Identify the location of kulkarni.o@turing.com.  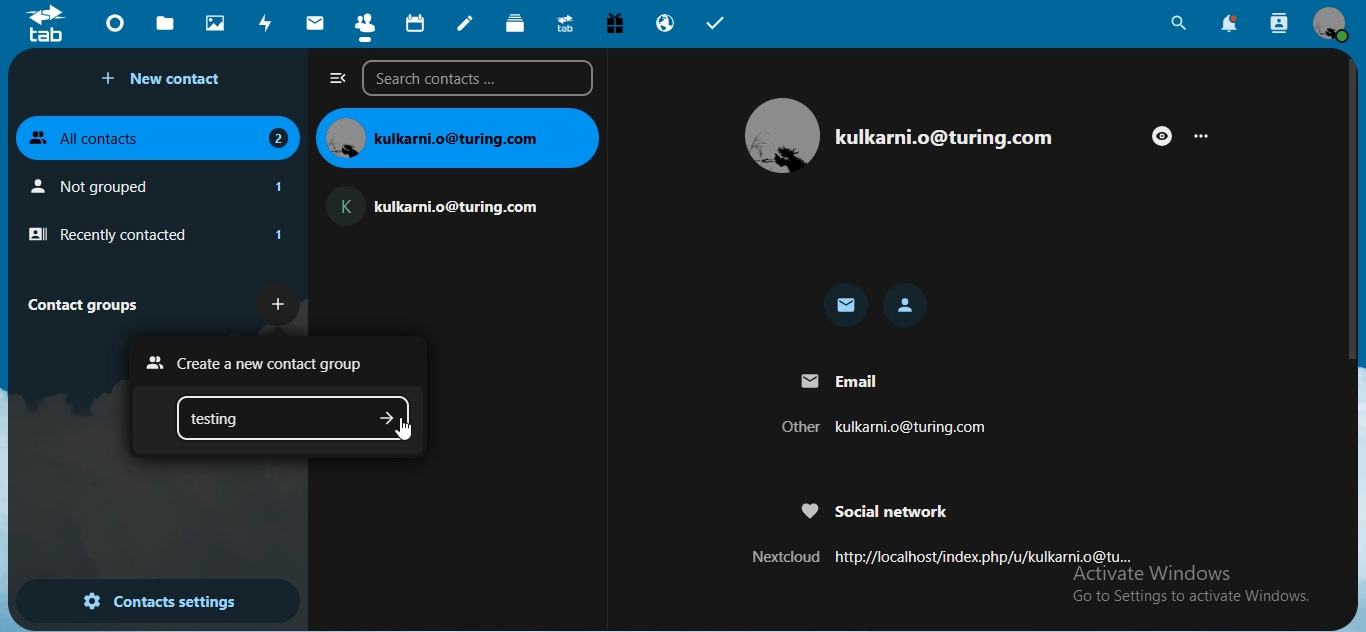
(944, 136).